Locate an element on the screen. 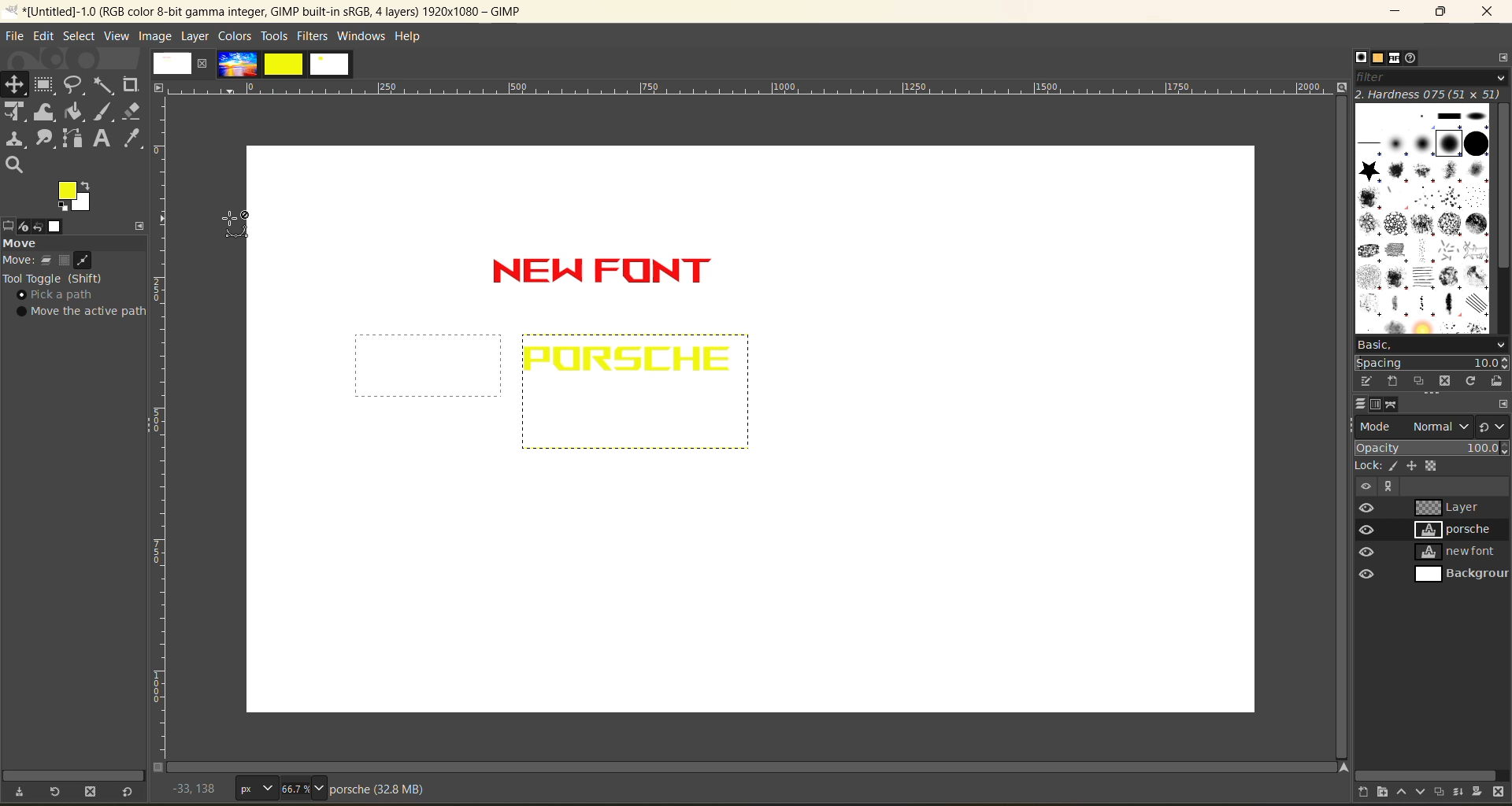 The width and height of the screenshot is (1512, 806). metadata is located at coordinates (378, 789).